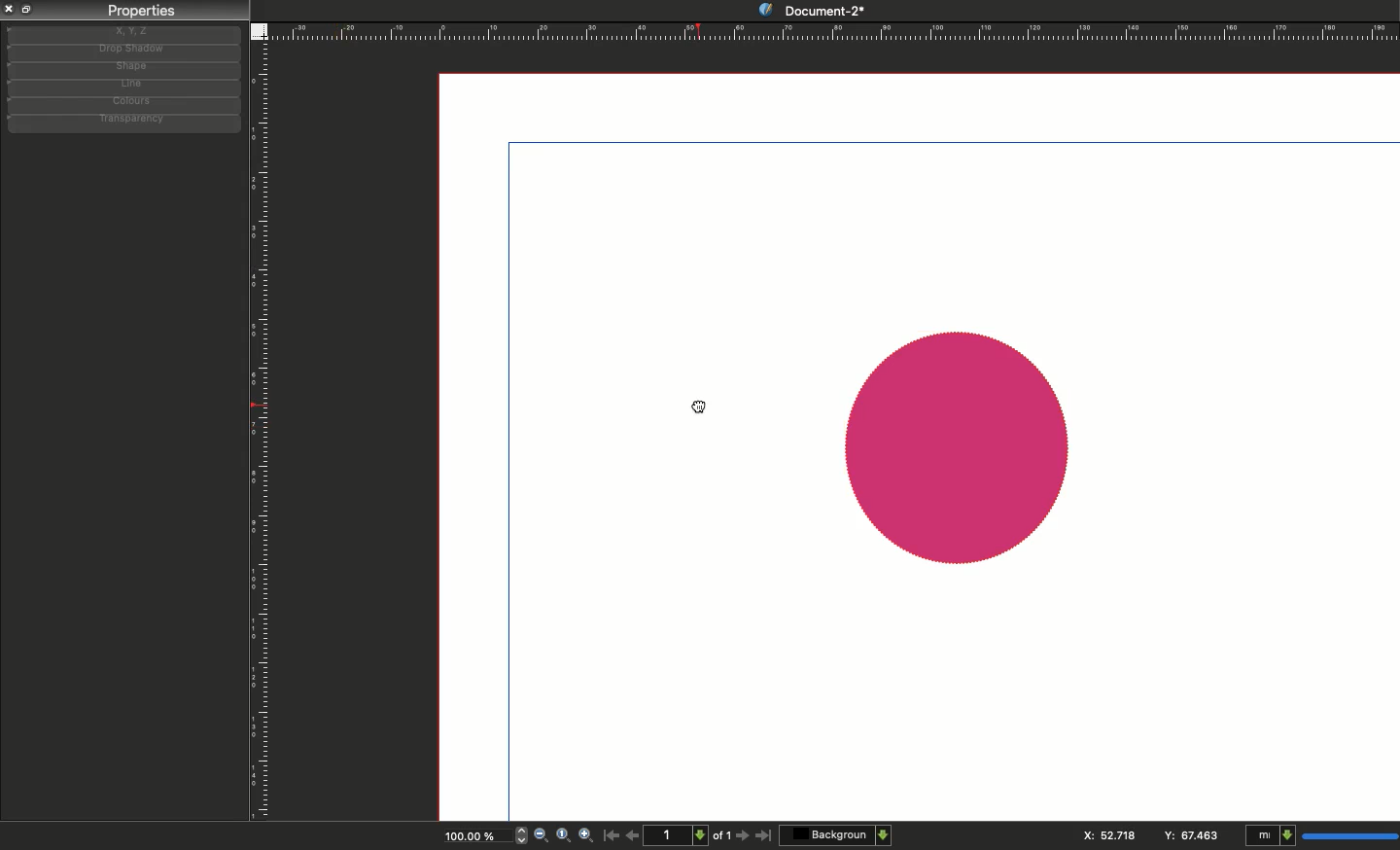  I want to click on Shape, so click(122, 69).